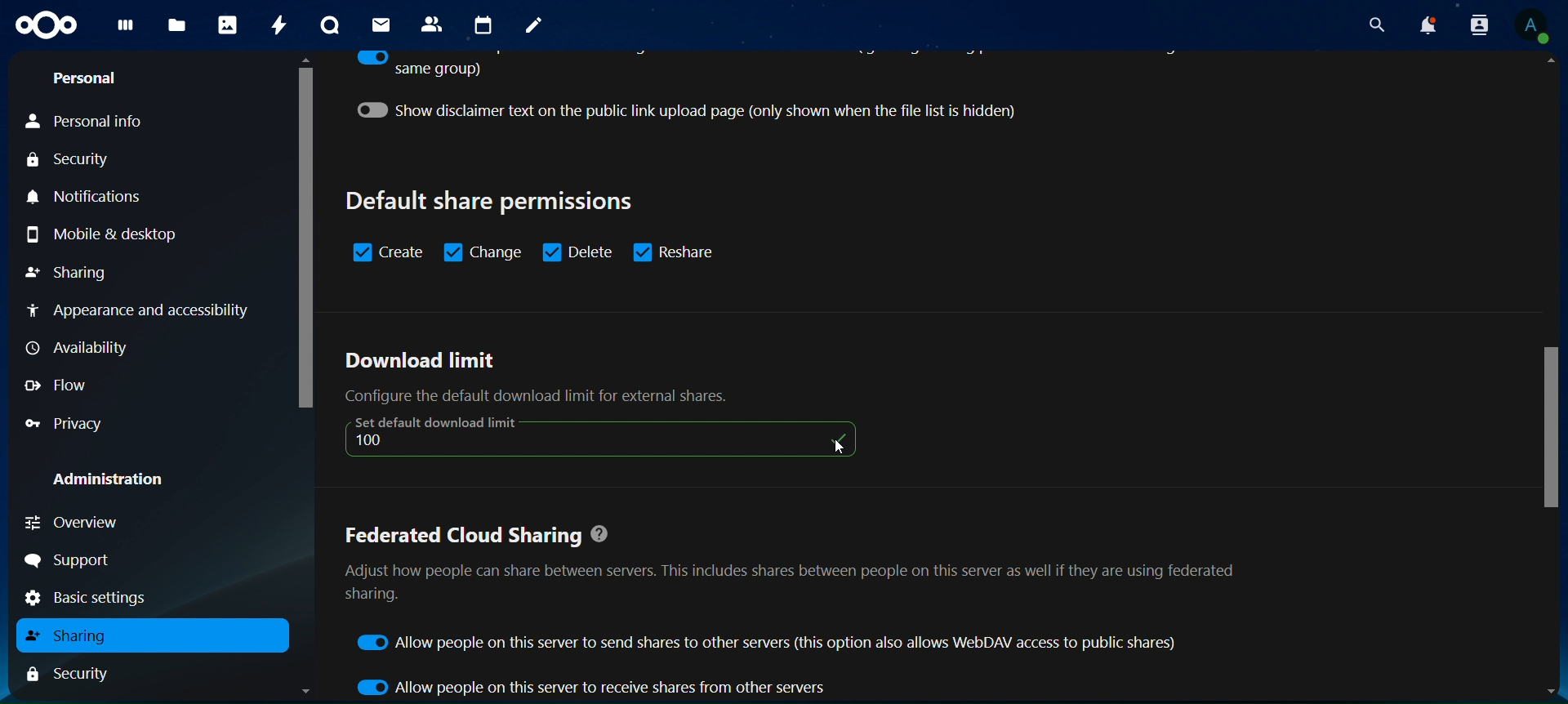 The height and width of the screenshot is (704, 1568). Describe the element at coordinates (87, 122) in the screenshot. I see `personal info` at that location.